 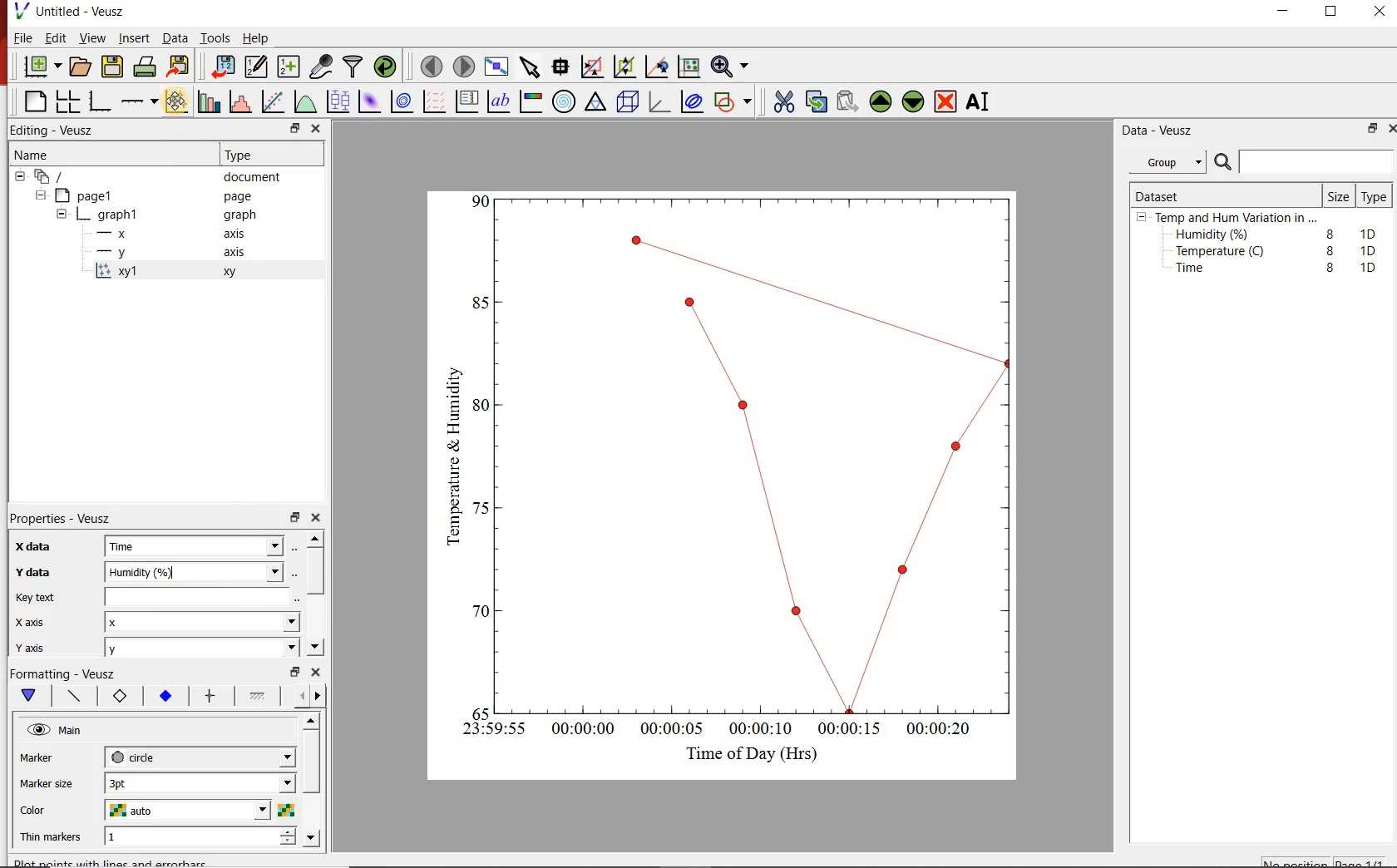 What do you see at coordinates (1380, 12) in the screenshot?
I see `close` at bounding box center [1380, 12].